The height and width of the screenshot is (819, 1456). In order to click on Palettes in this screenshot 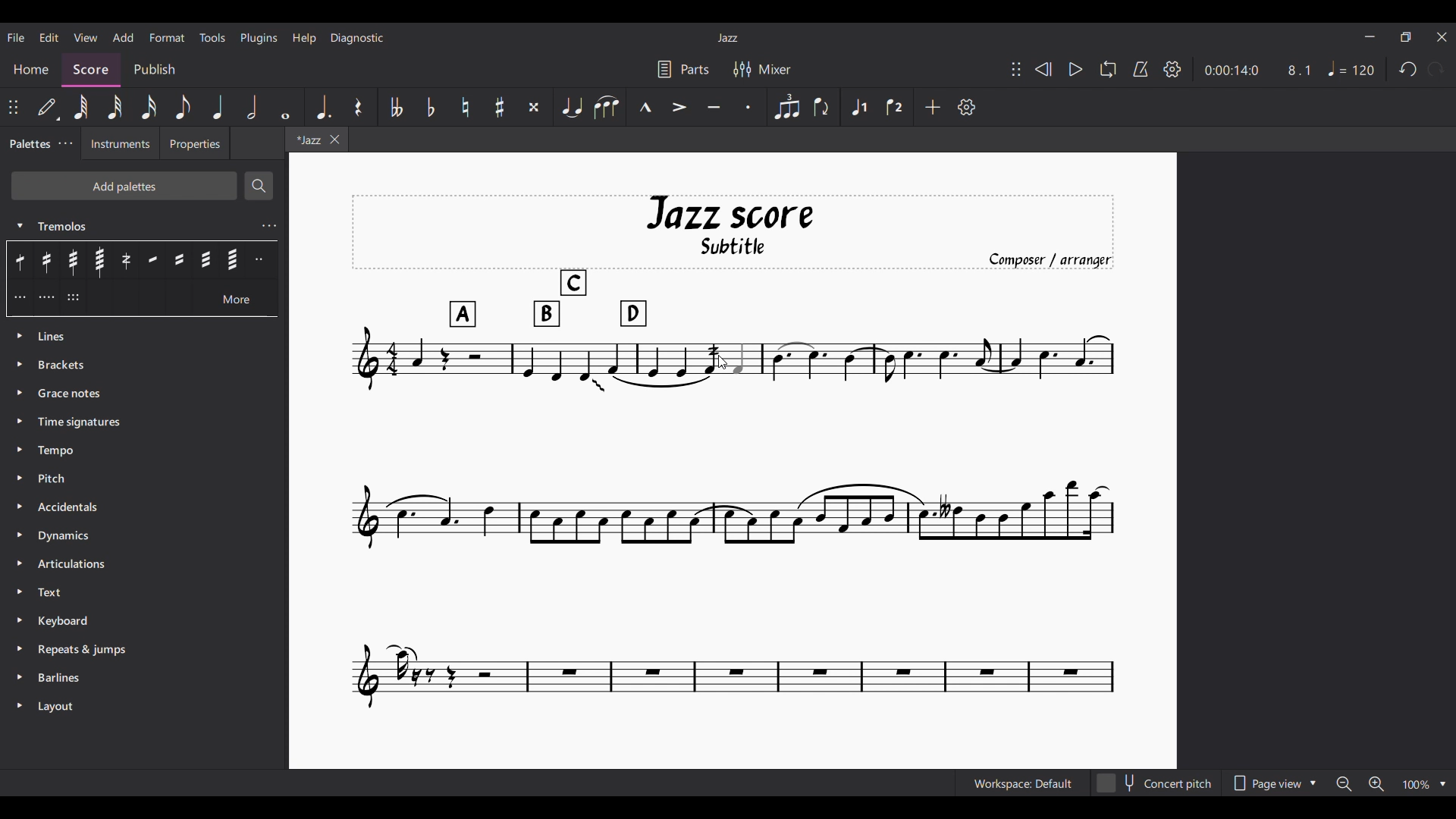, I will do `click(28, 143)`.